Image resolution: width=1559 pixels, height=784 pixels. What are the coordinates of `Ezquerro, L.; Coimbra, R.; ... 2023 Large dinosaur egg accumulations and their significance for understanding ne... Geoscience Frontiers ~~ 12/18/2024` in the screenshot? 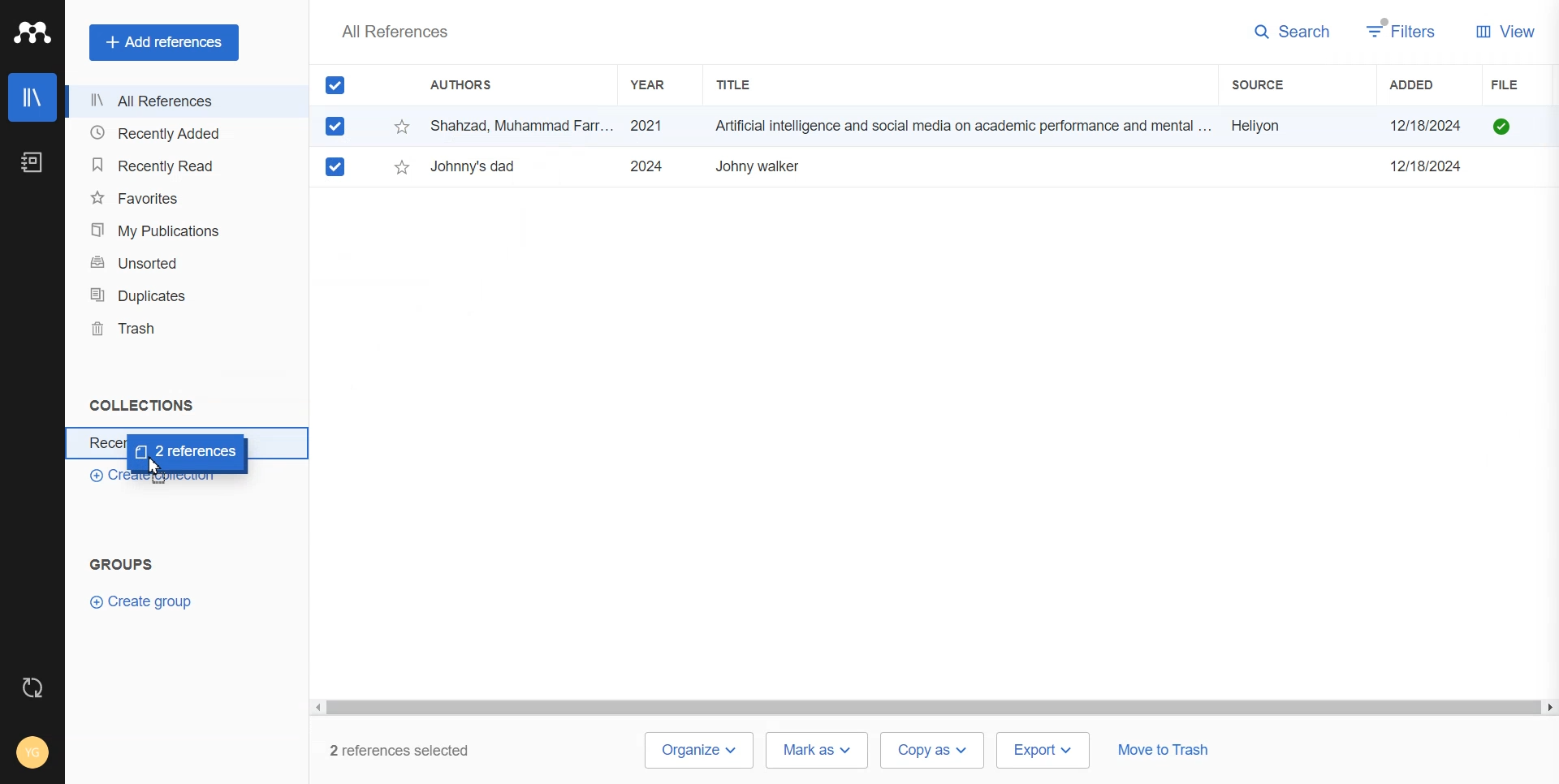 It's located at (952, 166).